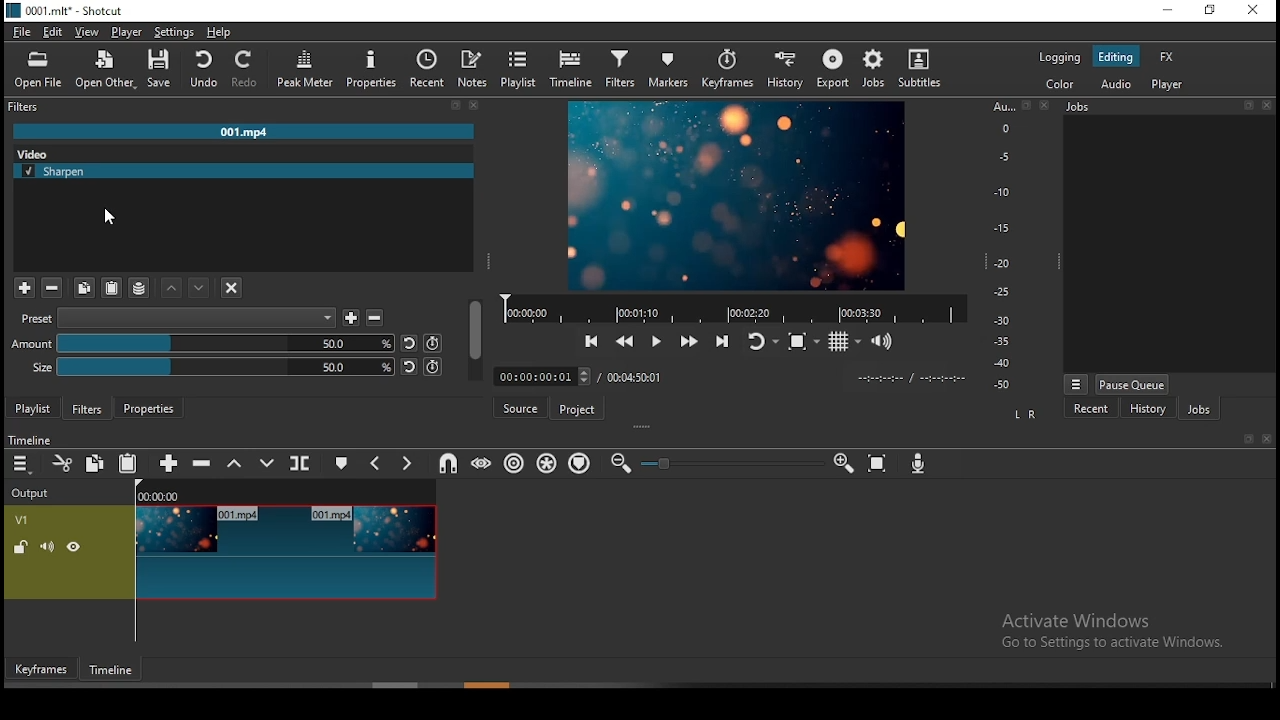 The image size is (1280, 720). What do you see at coordinates (621, 69) in the screenshot?
I see `filters` at bounding box center [621, 69].